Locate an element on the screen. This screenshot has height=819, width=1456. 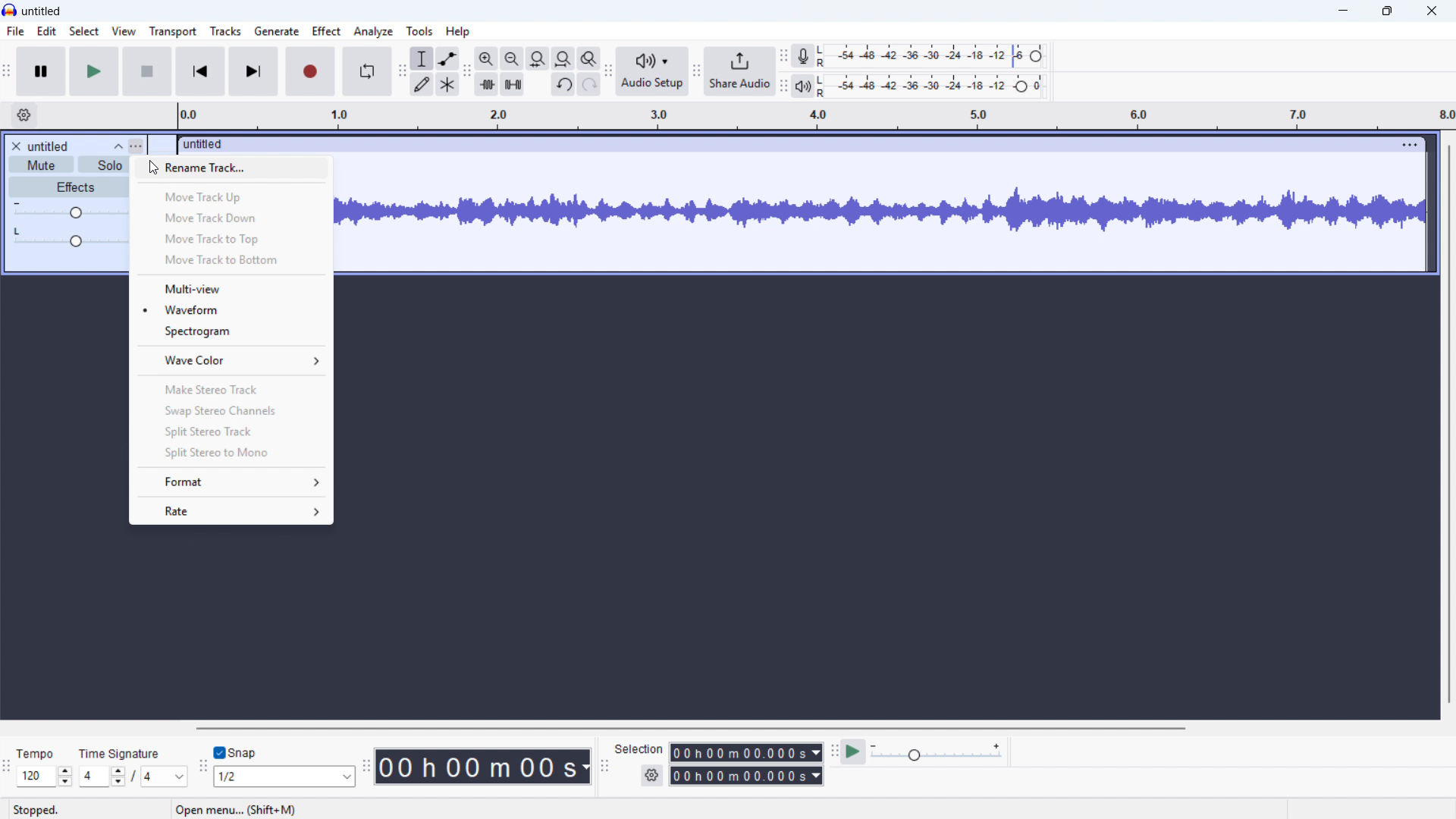
Recording metre toolbar  is located at coordinates (784, 56).